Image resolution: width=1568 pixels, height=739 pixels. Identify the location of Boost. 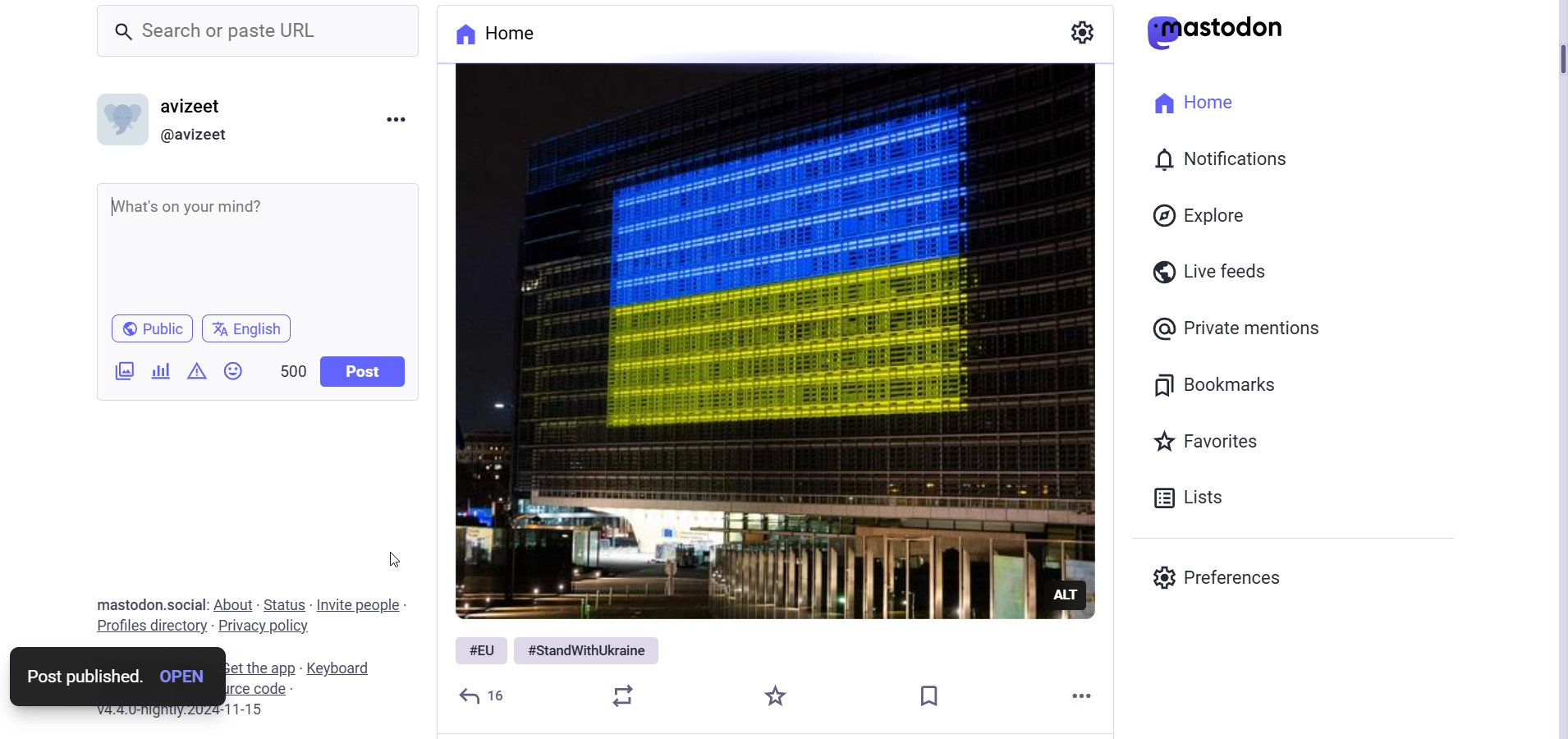
(629, 695).